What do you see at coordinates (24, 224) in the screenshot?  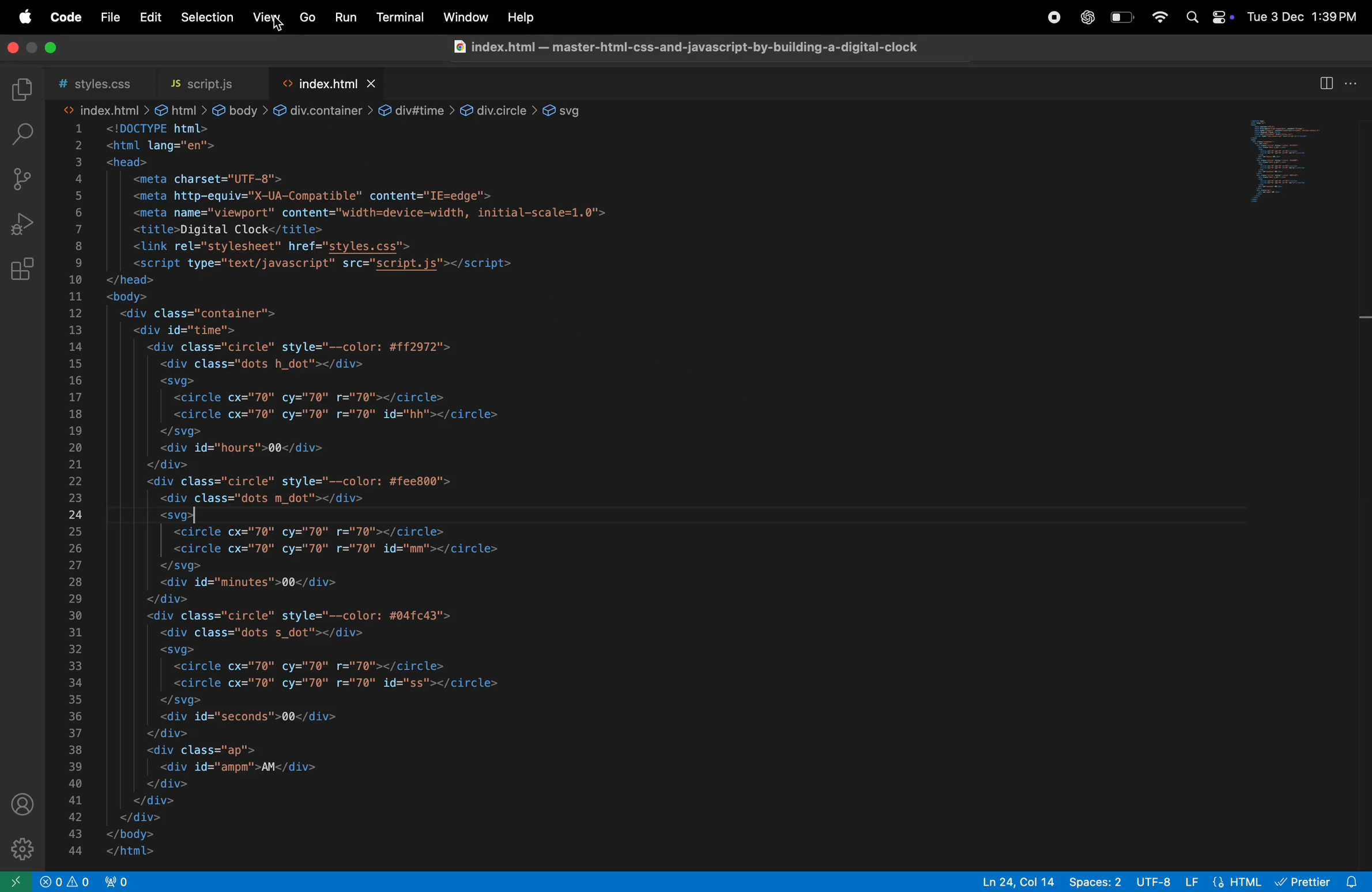 I see `run debug` at bounding box center [24, 224].